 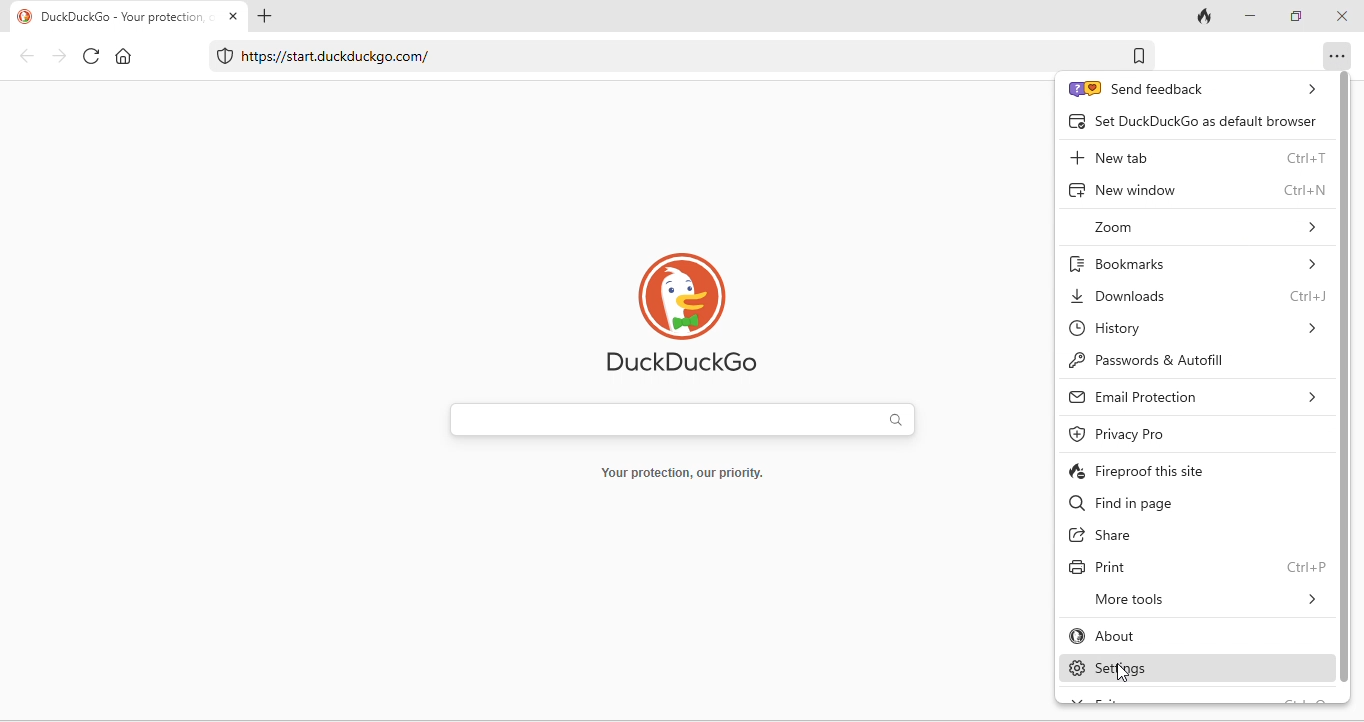 I want to click on clear cache and all data, so click(x=1206, y=16).